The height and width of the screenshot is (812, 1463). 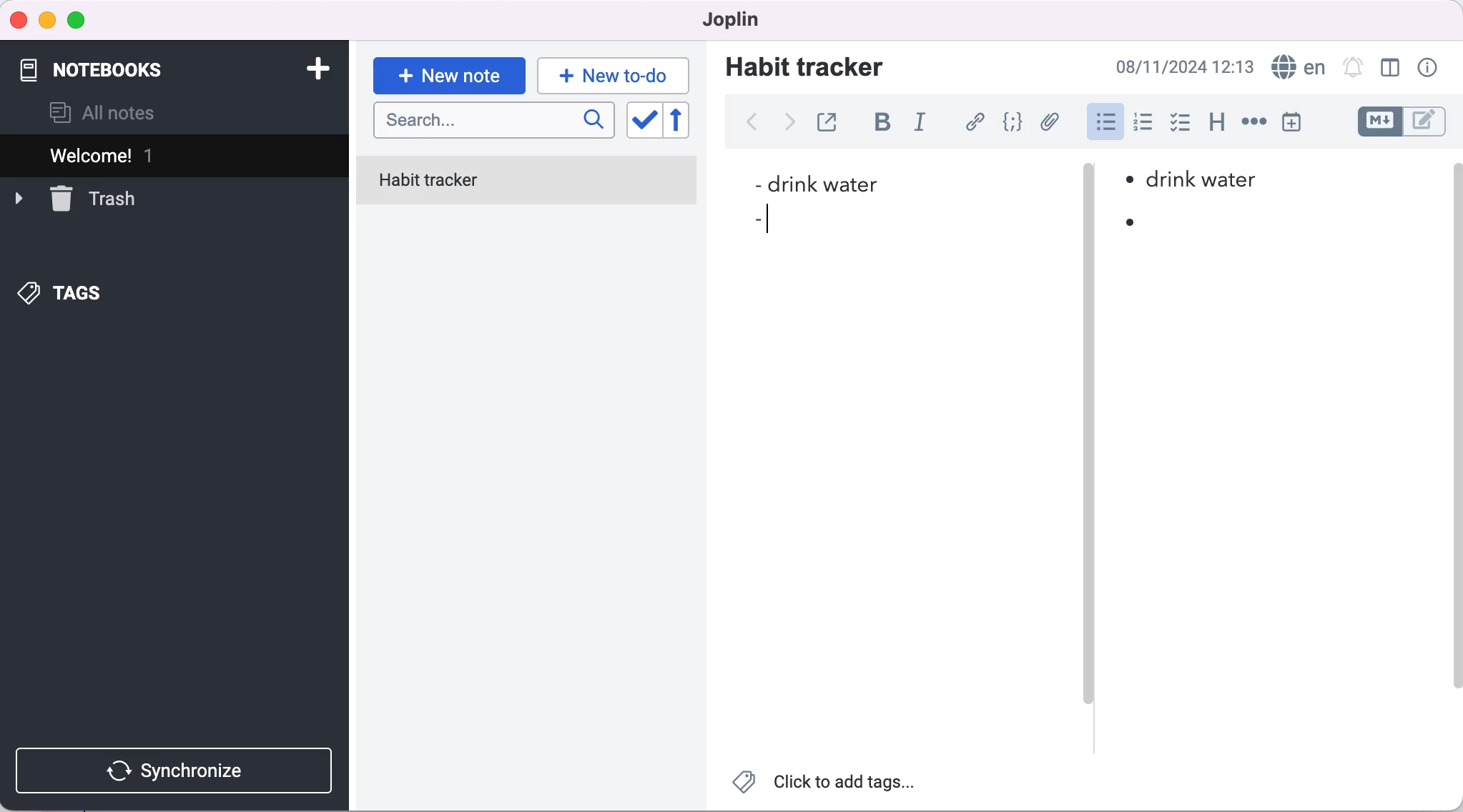 What do you see at coordinates (1218, 123) in the screenshot?
I see `heading` at bounding box center [1218, 123].